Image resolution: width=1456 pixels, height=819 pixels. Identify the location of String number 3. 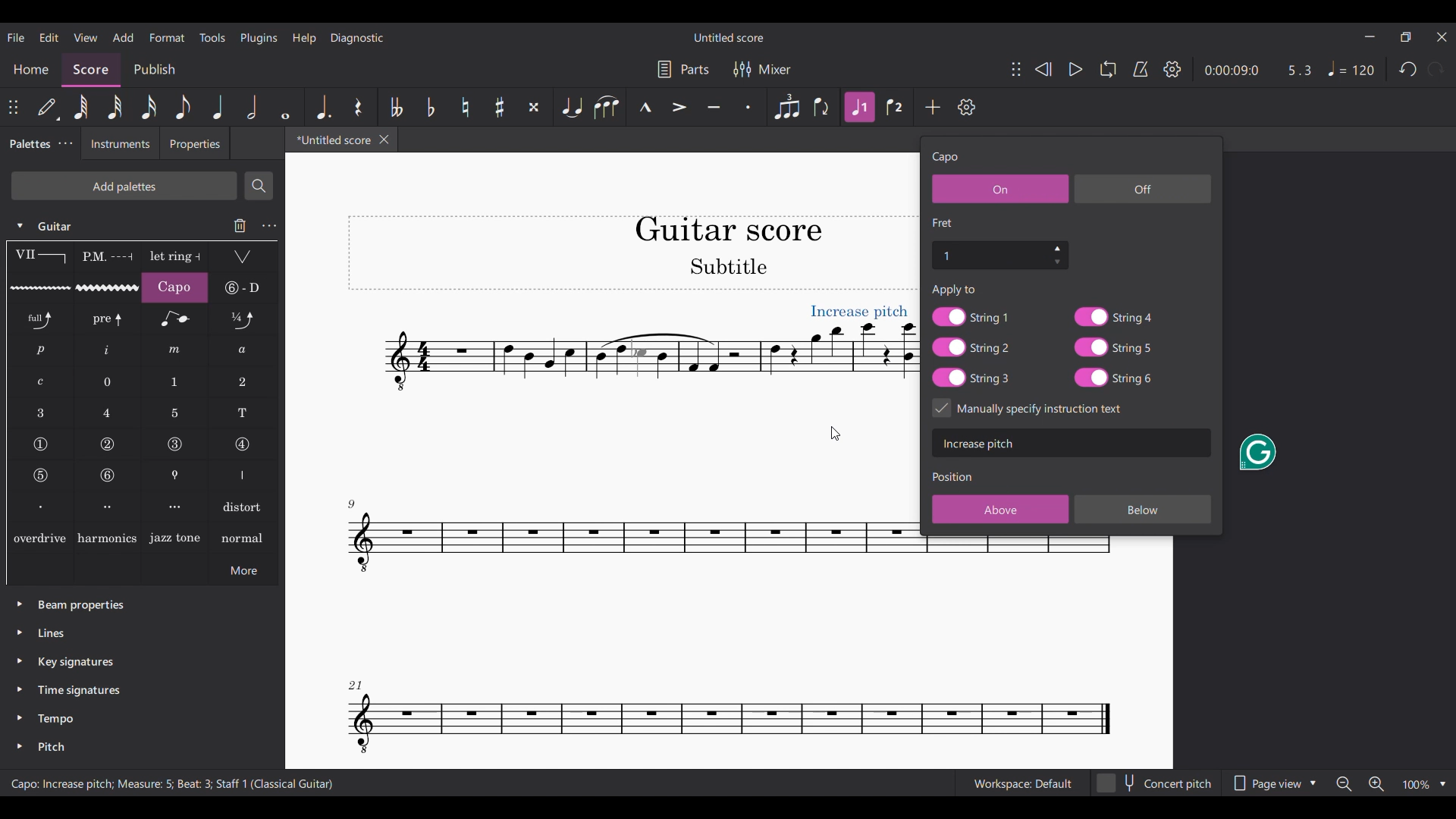
(175, 444).